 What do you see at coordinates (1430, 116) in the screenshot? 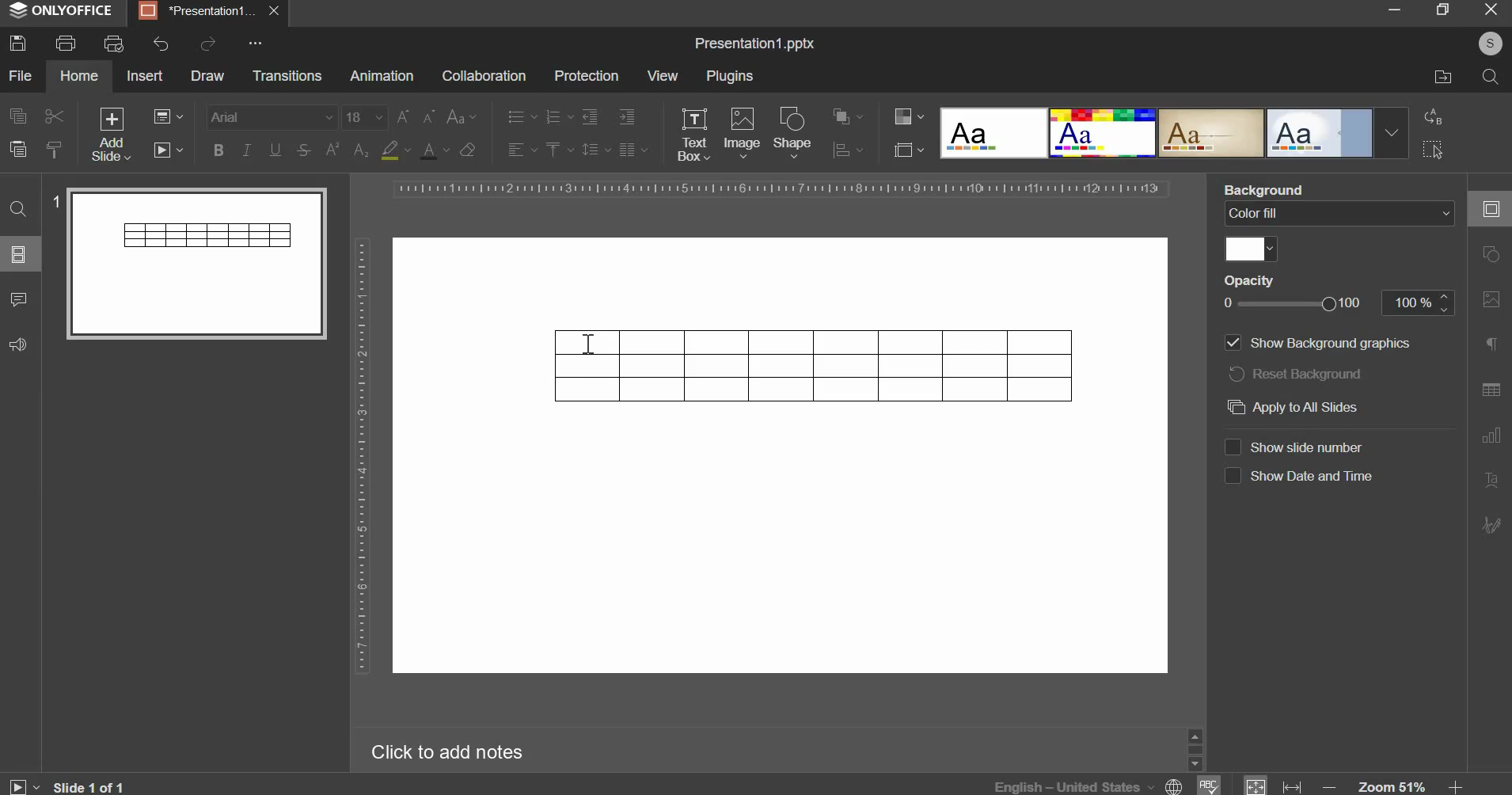
I see `replace` at bounding box center [1430, 116].